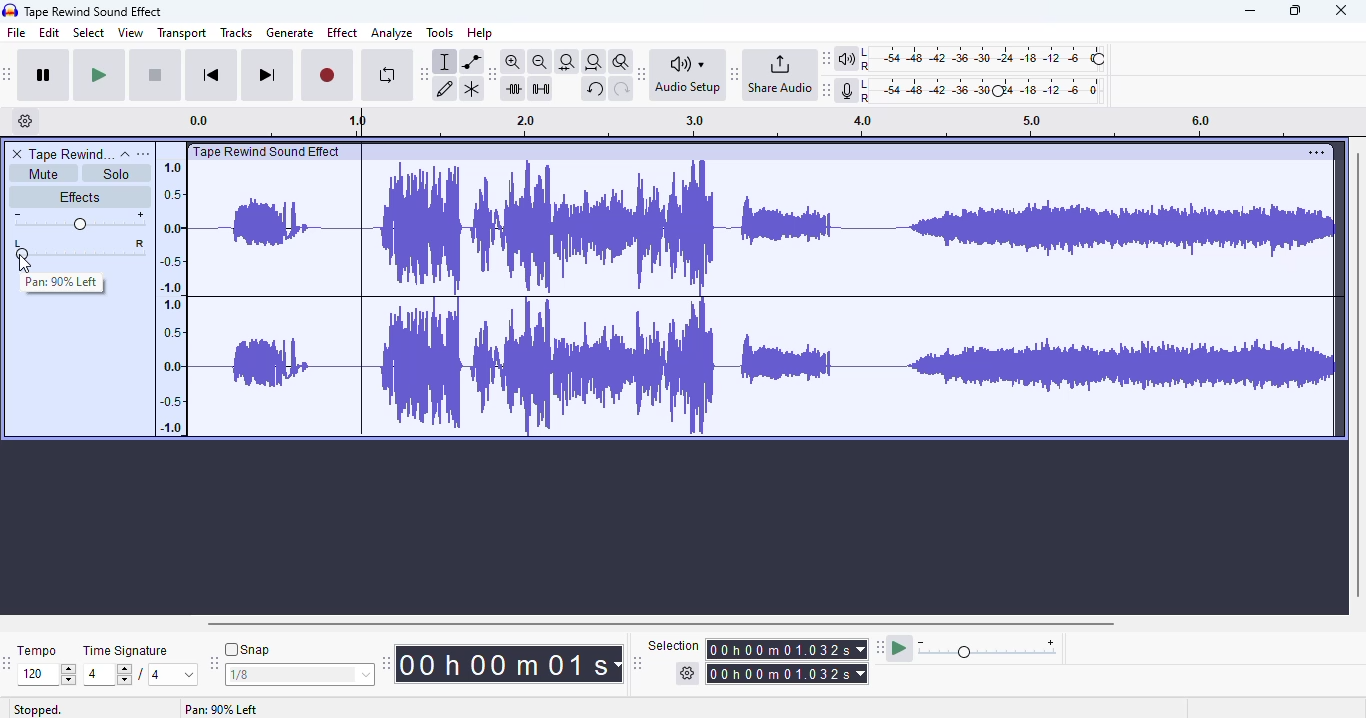  I want to click on audacity time toolbar, so click(386, 663).